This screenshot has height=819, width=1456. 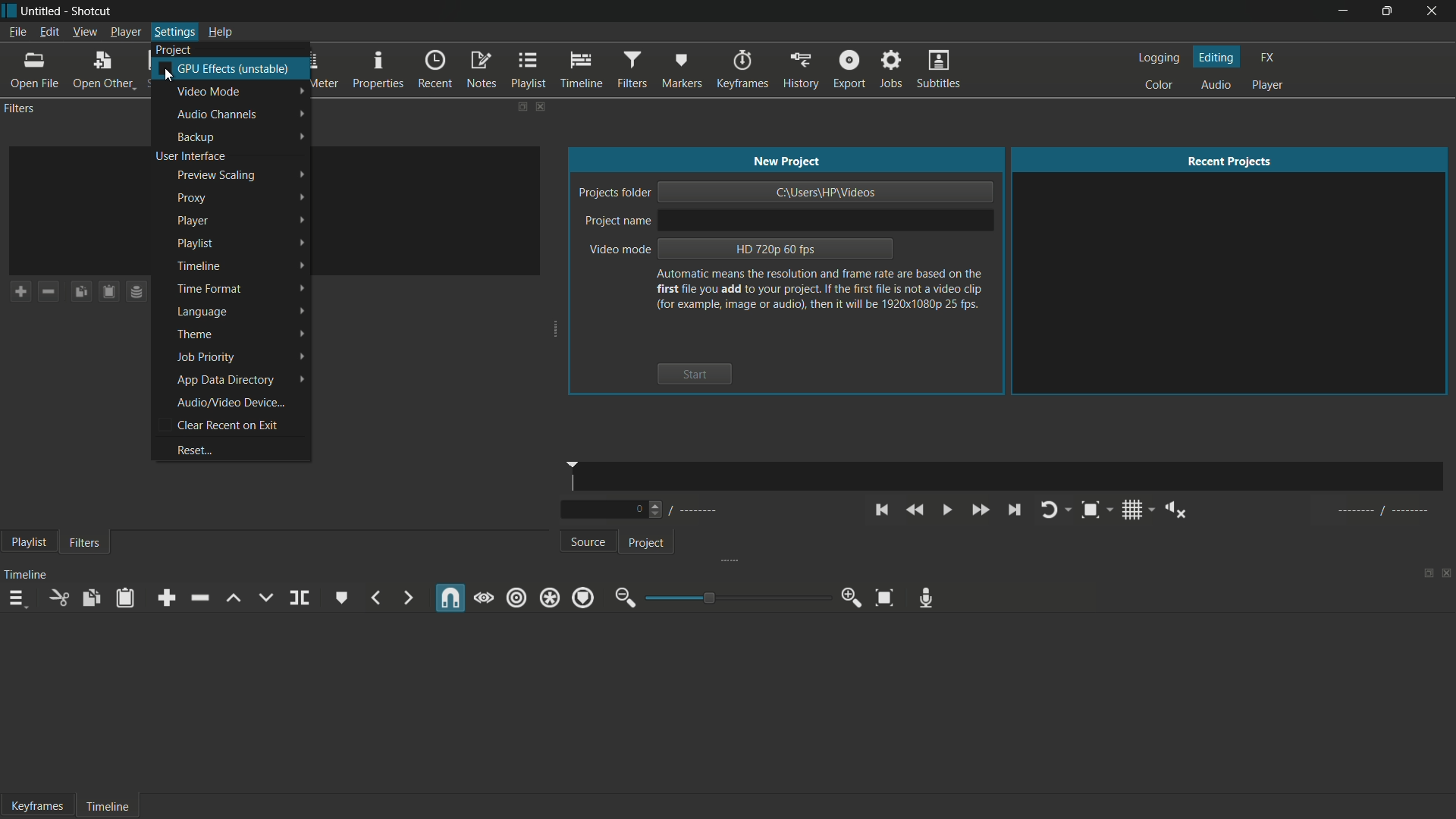 What do you see at coordinates (110, 291) in the screenshot?
I see `paste filters` at bounding box center [110, 291].